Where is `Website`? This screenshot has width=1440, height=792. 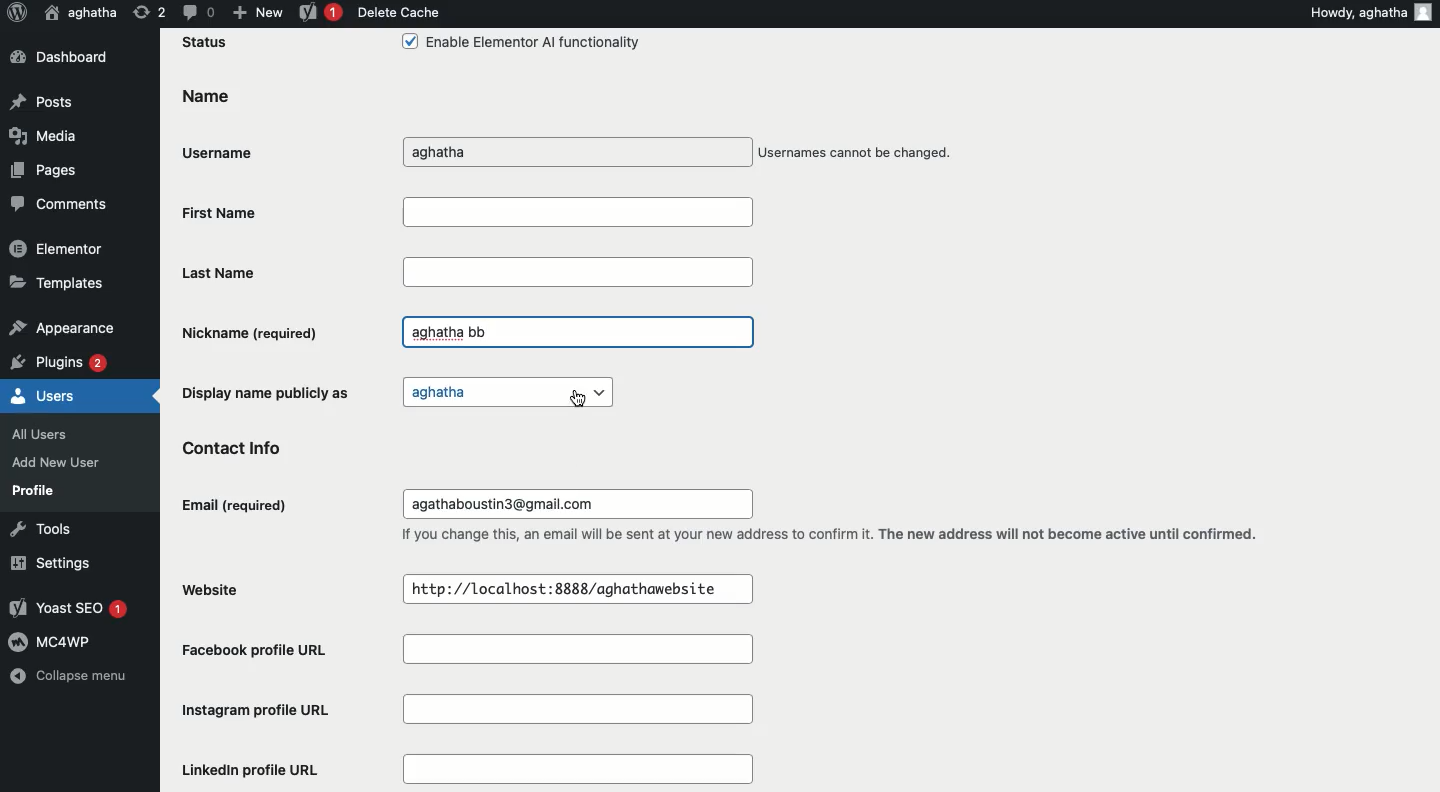
Website is located at coordinates (220, 588).